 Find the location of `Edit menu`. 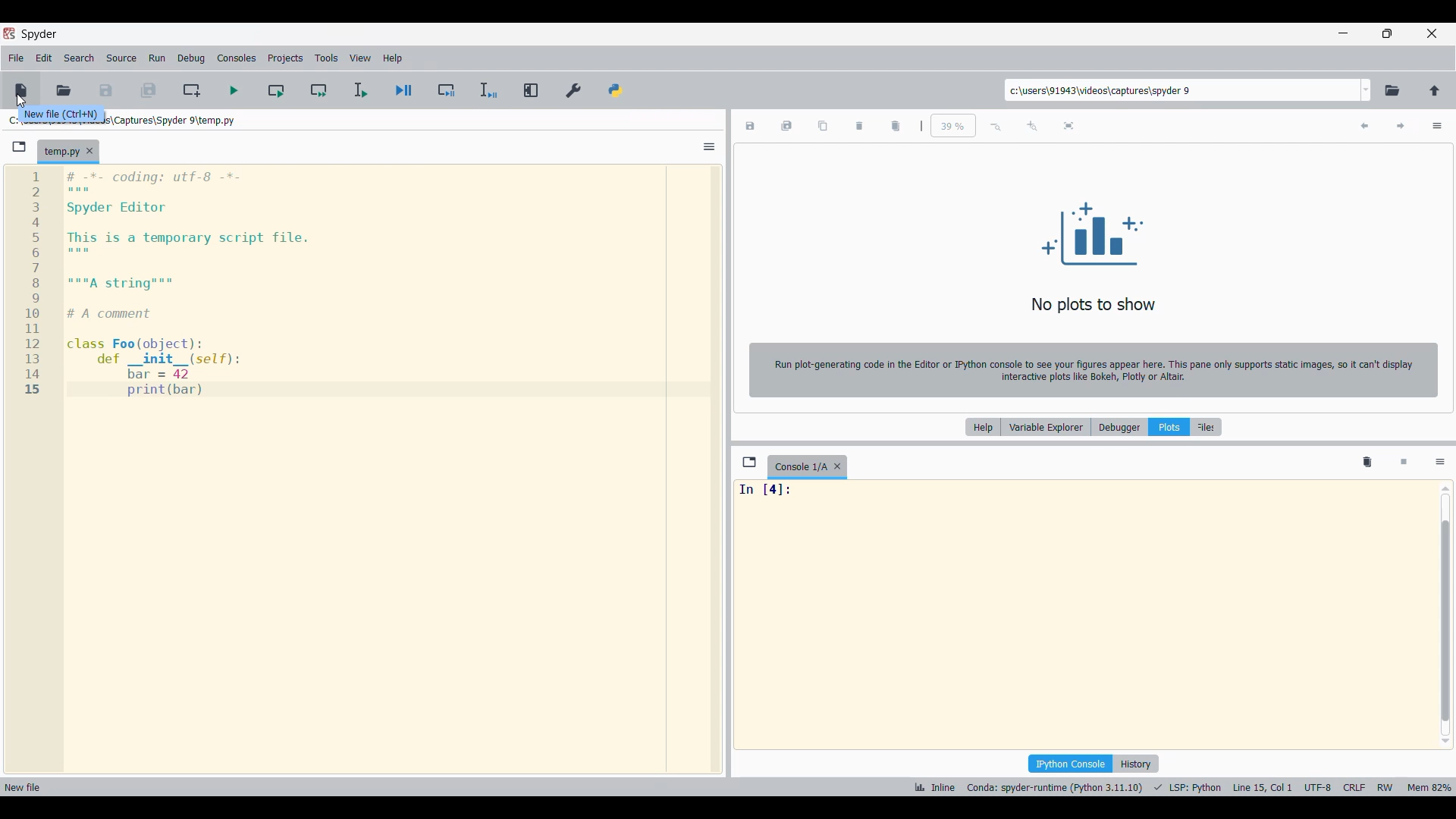

Edit menu is located at coordinates (45, 58).